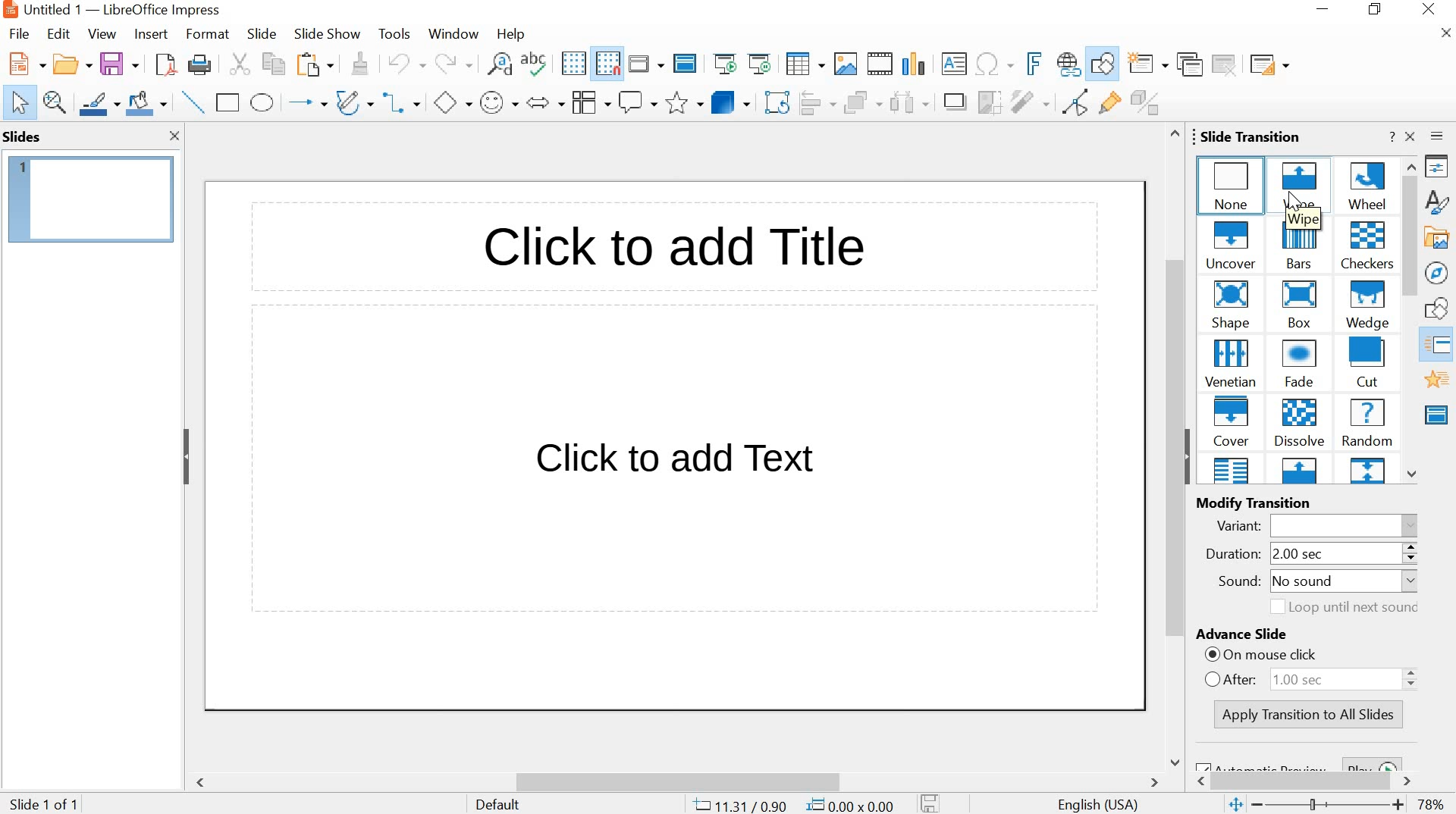 This screenshot has height=814, width=1456. I want to click on SAVE AS PDF, so click(165, 64).